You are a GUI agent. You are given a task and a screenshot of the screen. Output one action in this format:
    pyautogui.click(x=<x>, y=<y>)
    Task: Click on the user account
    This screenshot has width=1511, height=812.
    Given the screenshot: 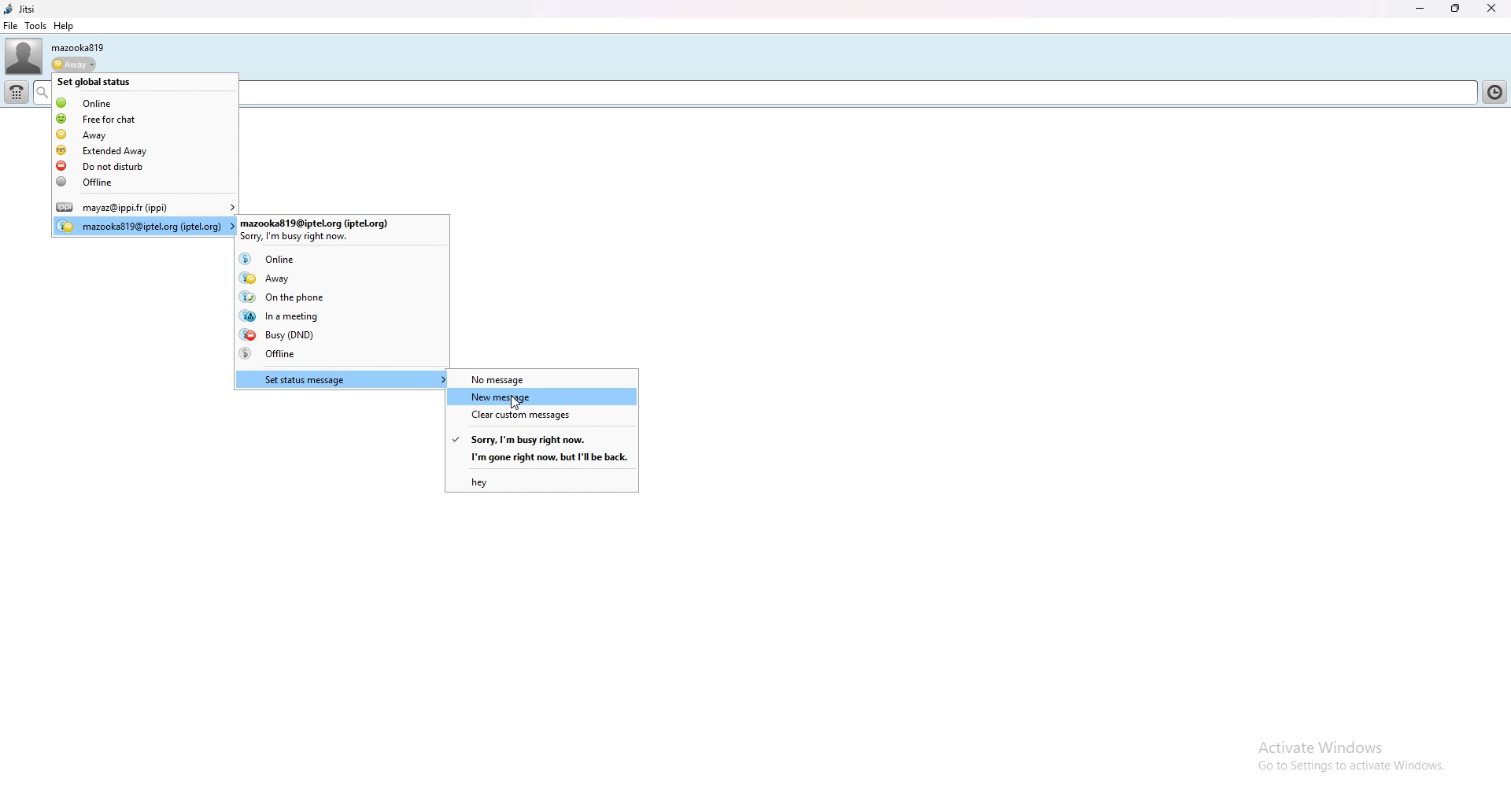 What is the action you would take?
    pyautogui.click(x=344, y=227)
    